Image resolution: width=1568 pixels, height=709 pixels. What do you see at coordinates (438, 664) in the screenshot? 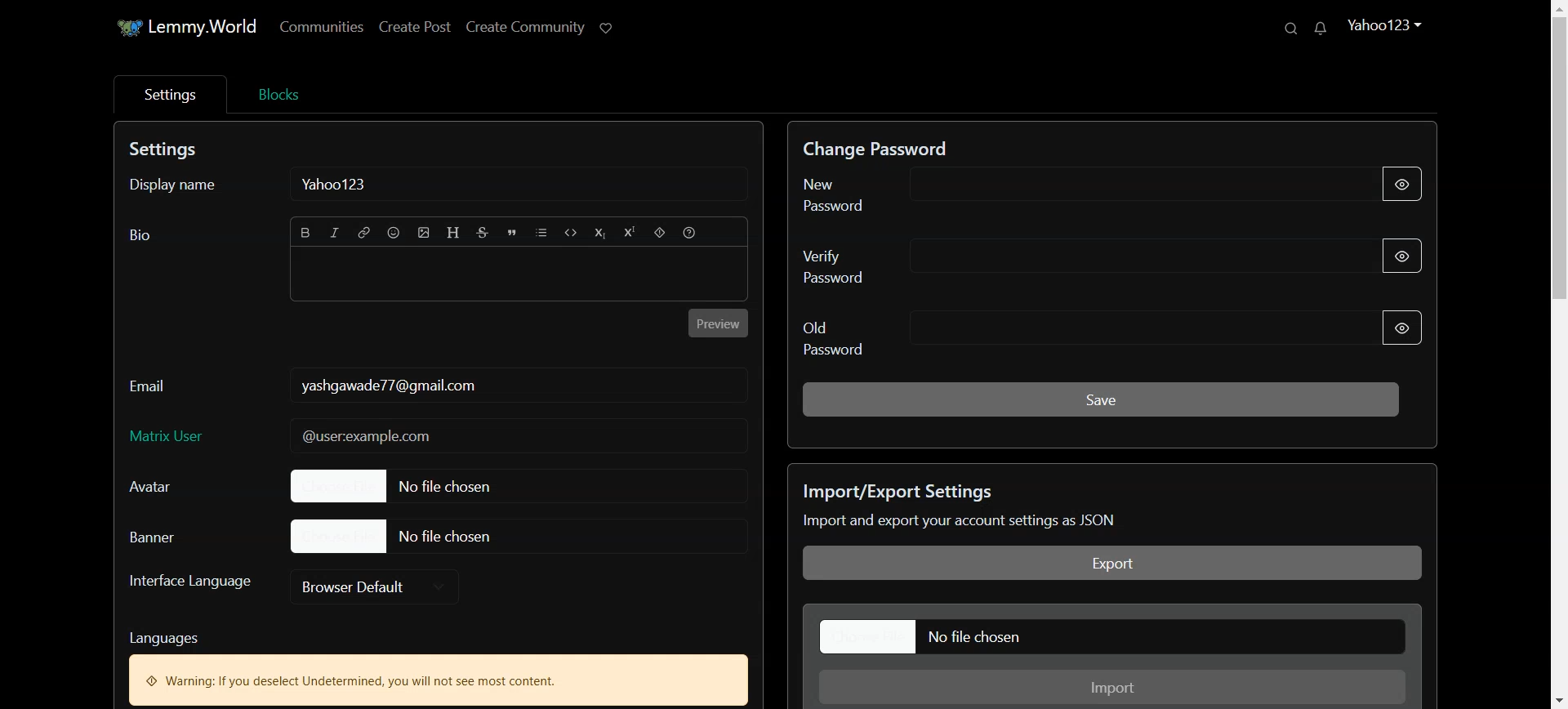
I see `Text` at bounding box center [438, 664].